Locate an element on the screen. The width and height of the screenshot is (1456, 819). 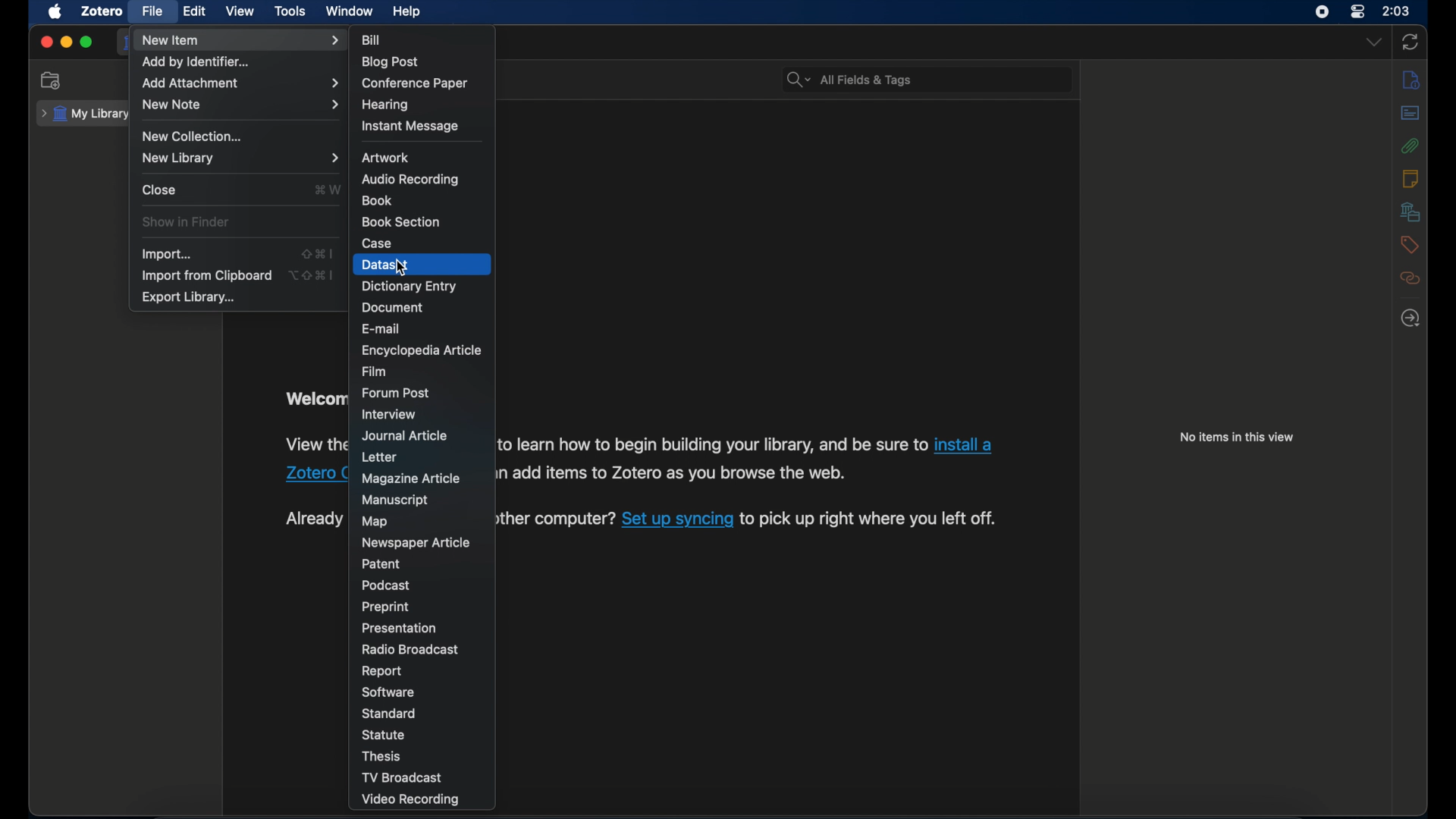
tools is located at coordinates (290, 11).